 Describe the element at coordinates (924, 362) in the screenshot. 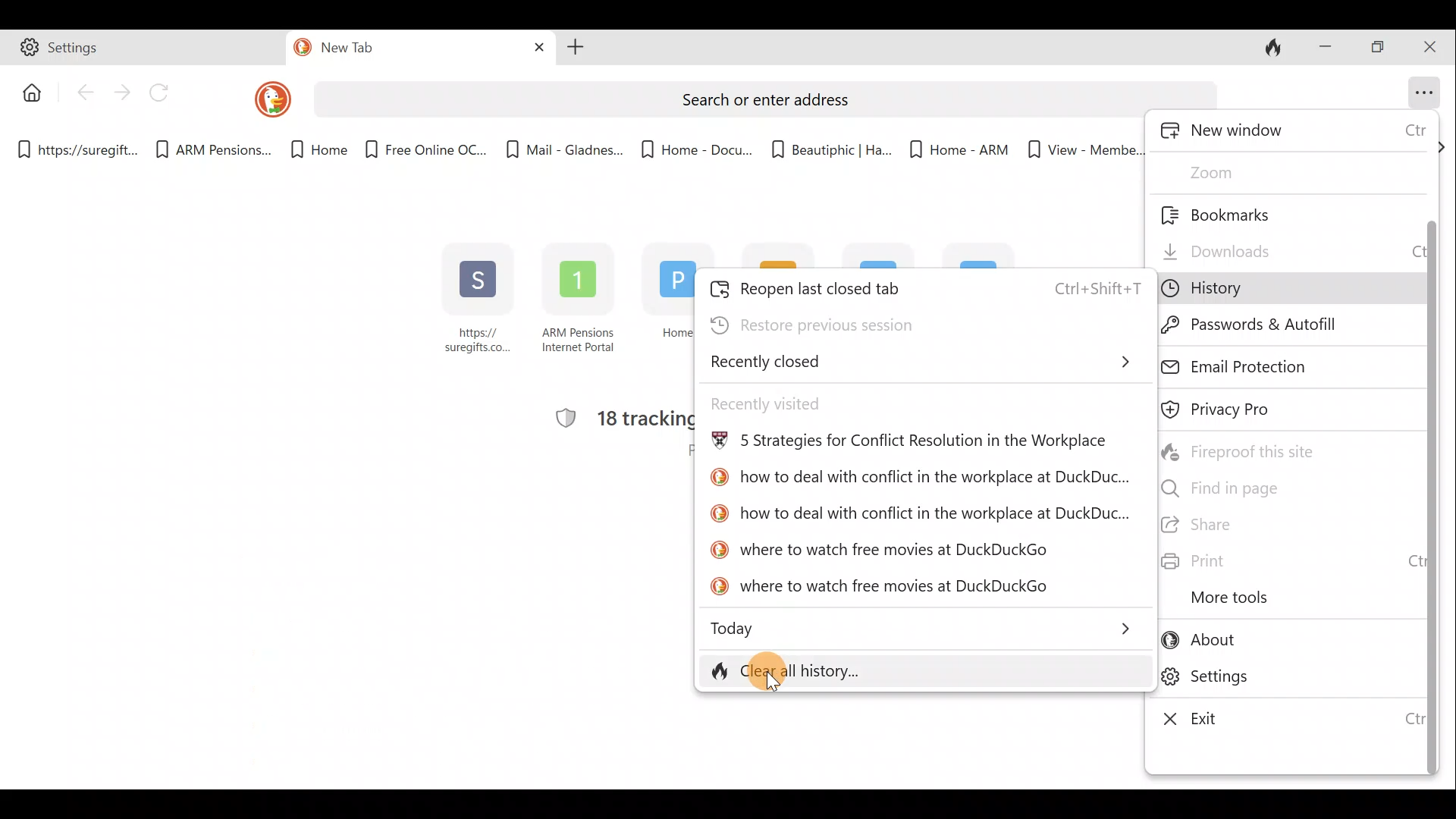

I see `Recently closed` at that location.